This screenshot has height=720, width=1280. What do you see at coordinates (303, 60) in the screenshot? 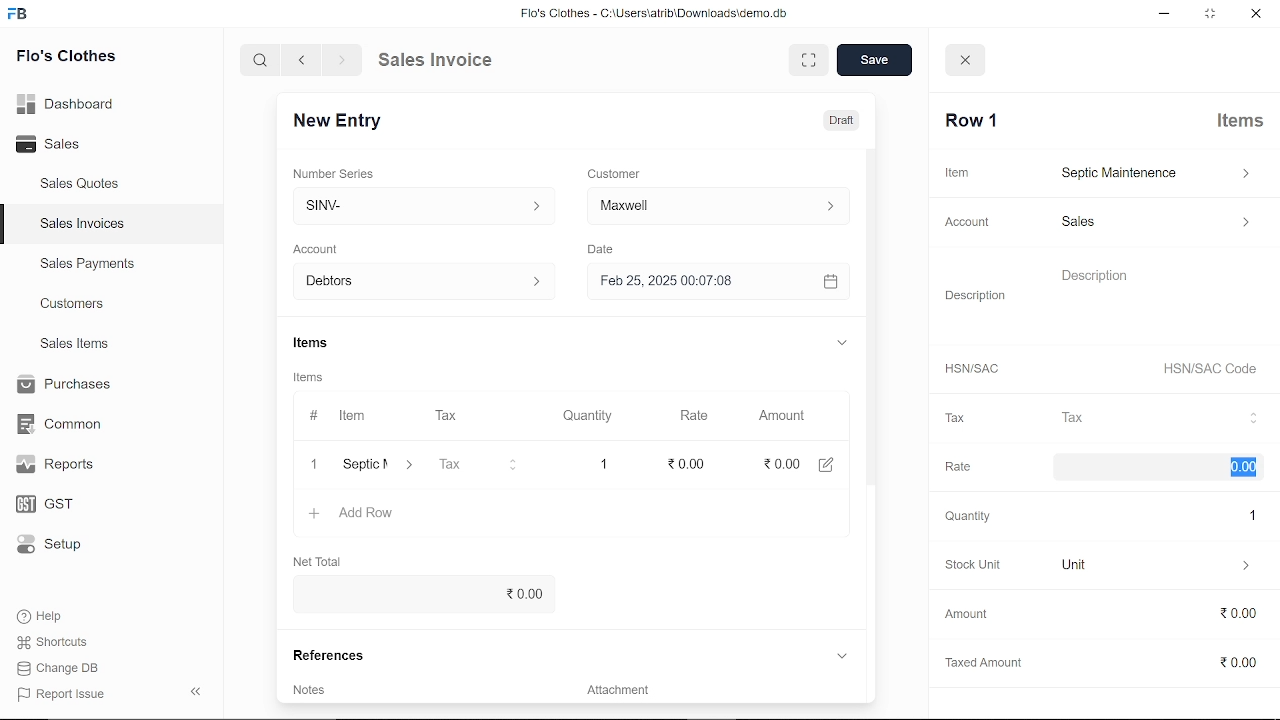
I see `previous` at bounding box center [303, 60].